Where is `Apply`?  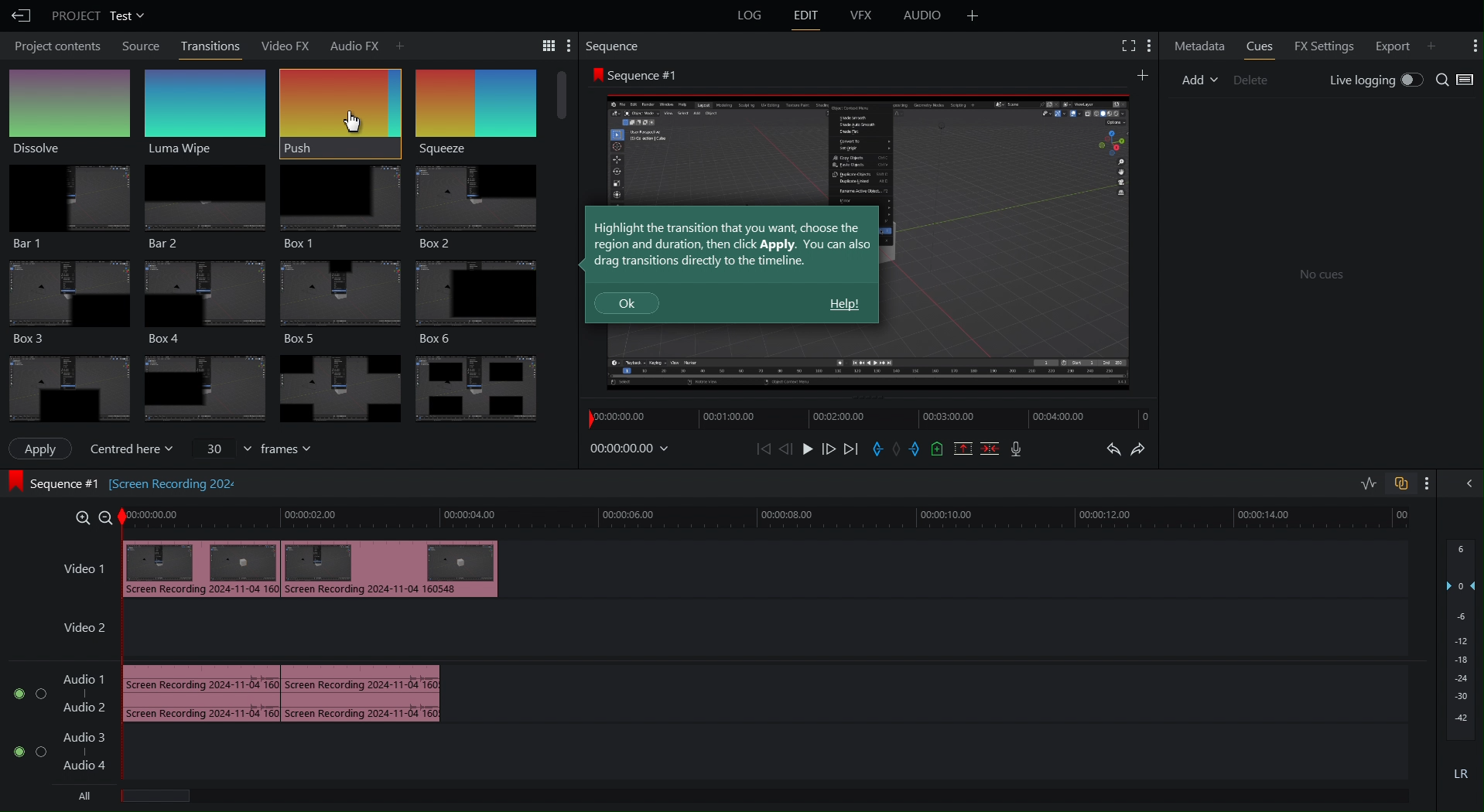
Apply is located at coordinates (42, 448).